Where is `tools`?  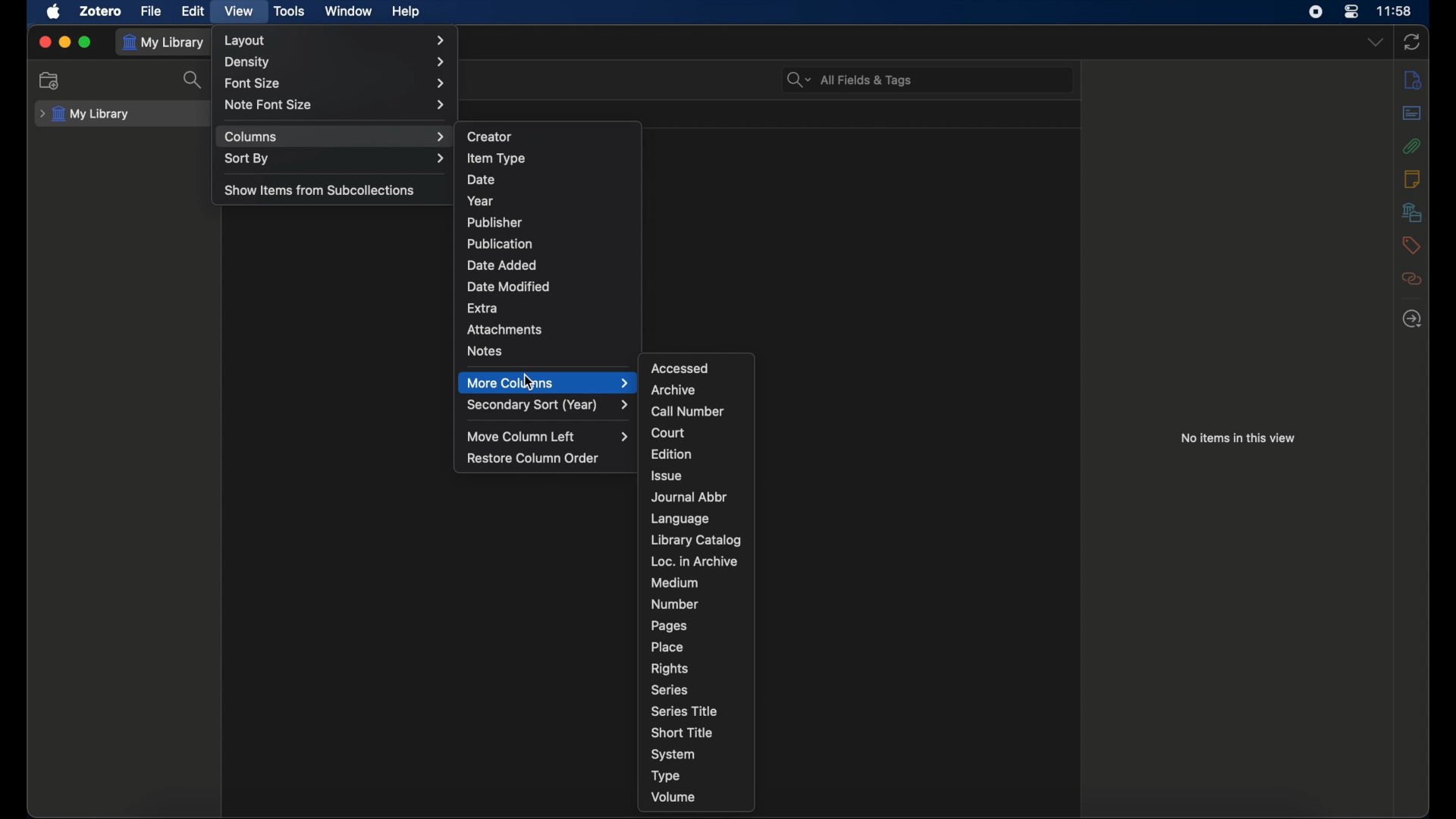 tools is located at coordinates (290, 11).